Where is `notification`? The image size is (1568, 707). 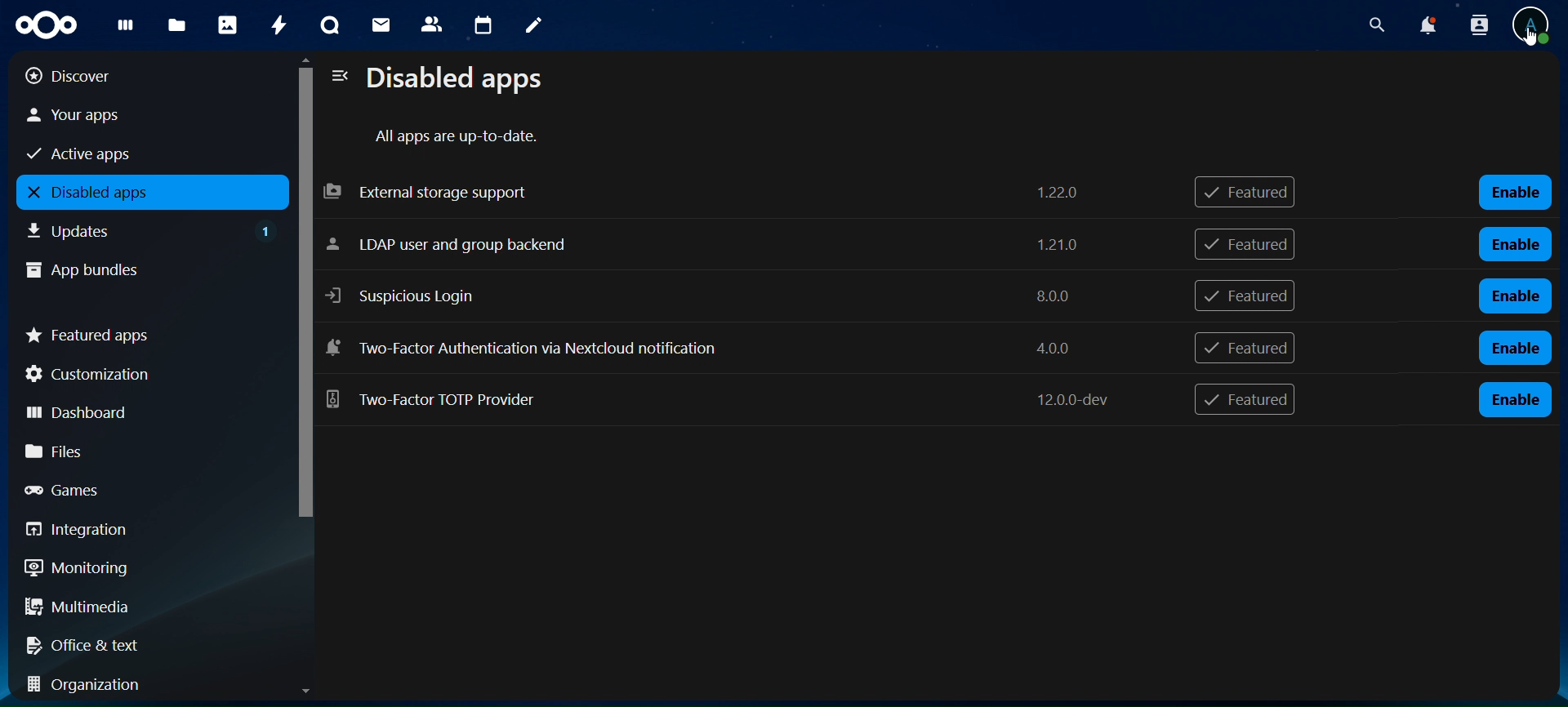
notification is located at coordinates (1476, 24).